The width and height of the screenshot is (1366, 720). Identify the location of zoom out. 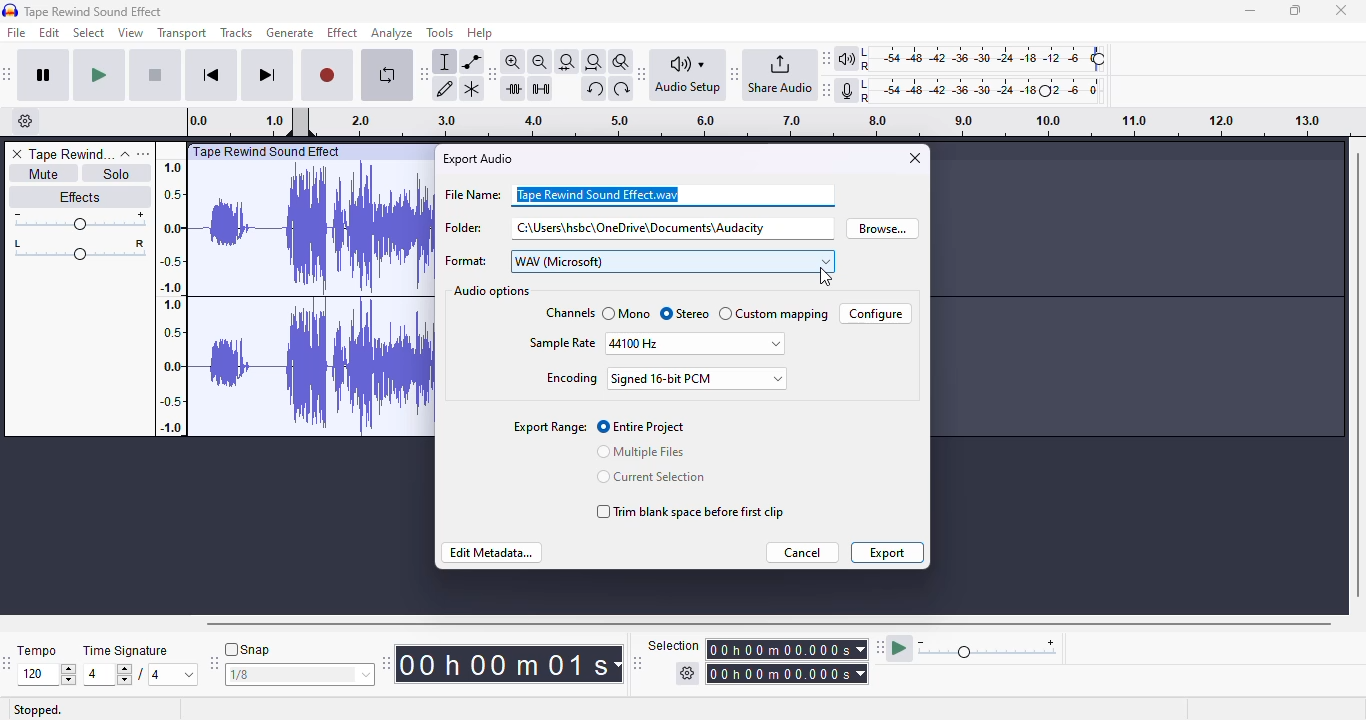
(540, 61).